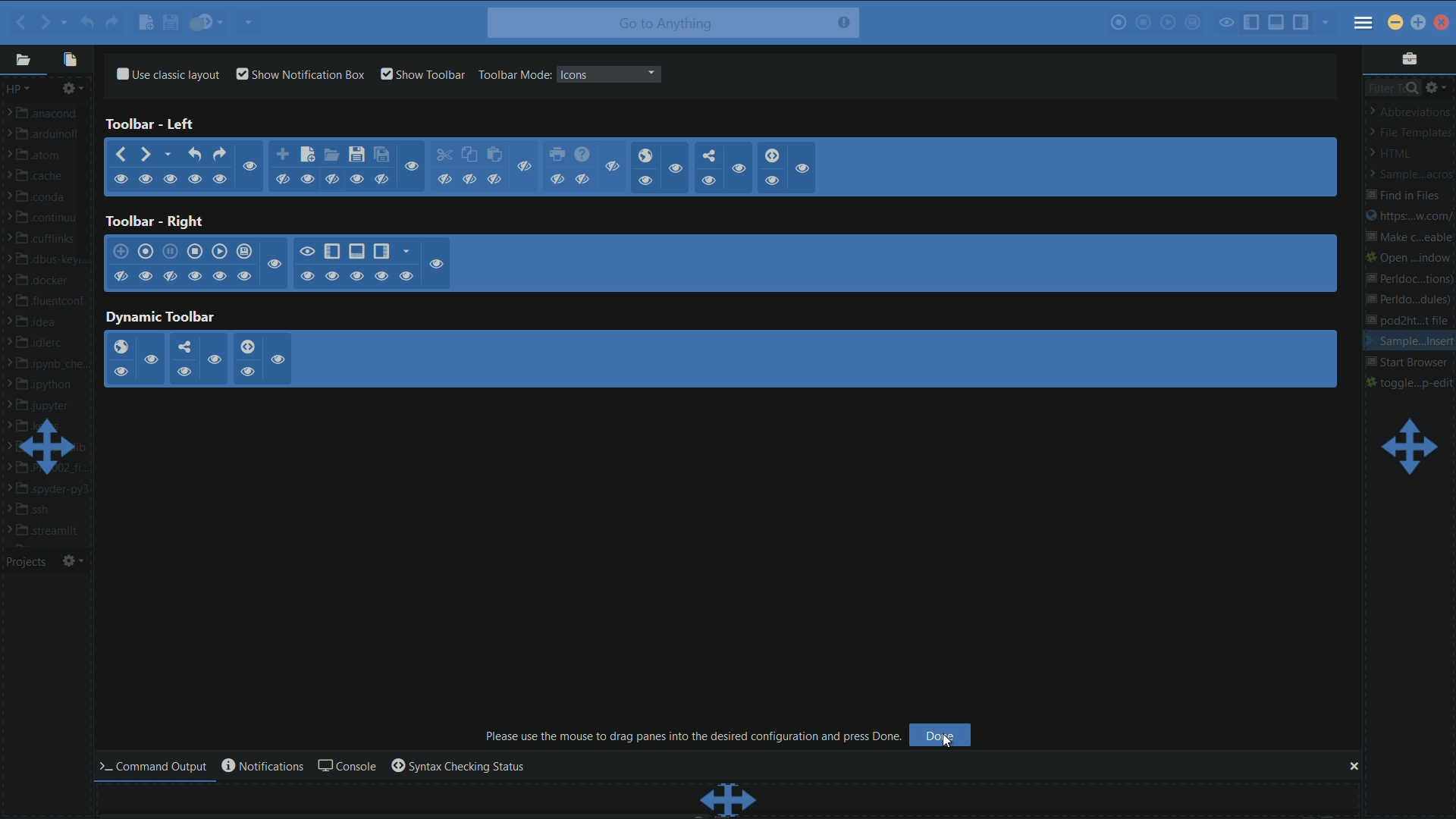 This screenshot has width=1456, height=819. What do you see at coordinates (1408, 58) in the screenshot?
I see `toolbox` at bounding box center [1408, 58].